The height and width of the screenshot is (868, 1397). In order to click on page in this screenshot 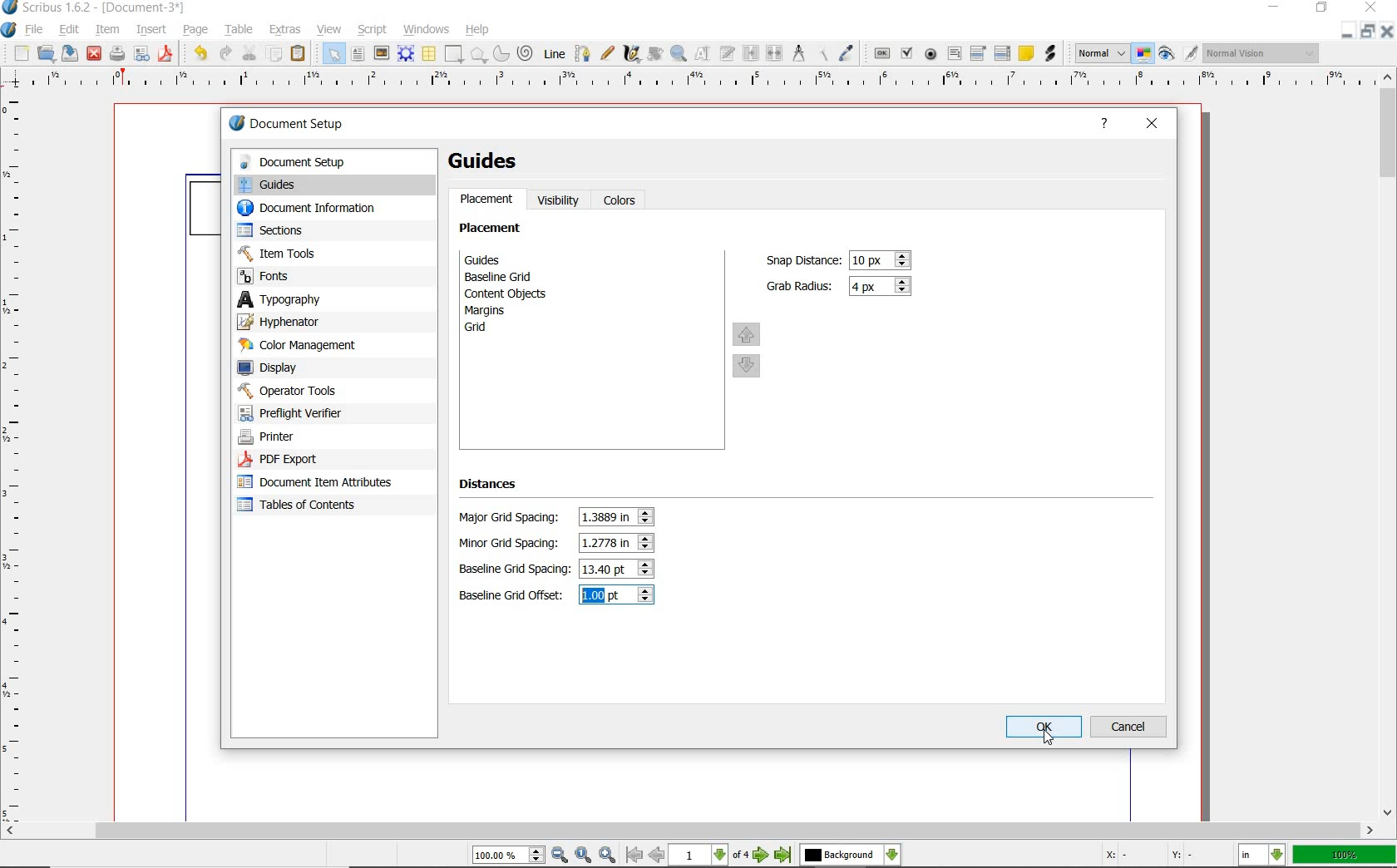, I will do `click(195, 31)`.